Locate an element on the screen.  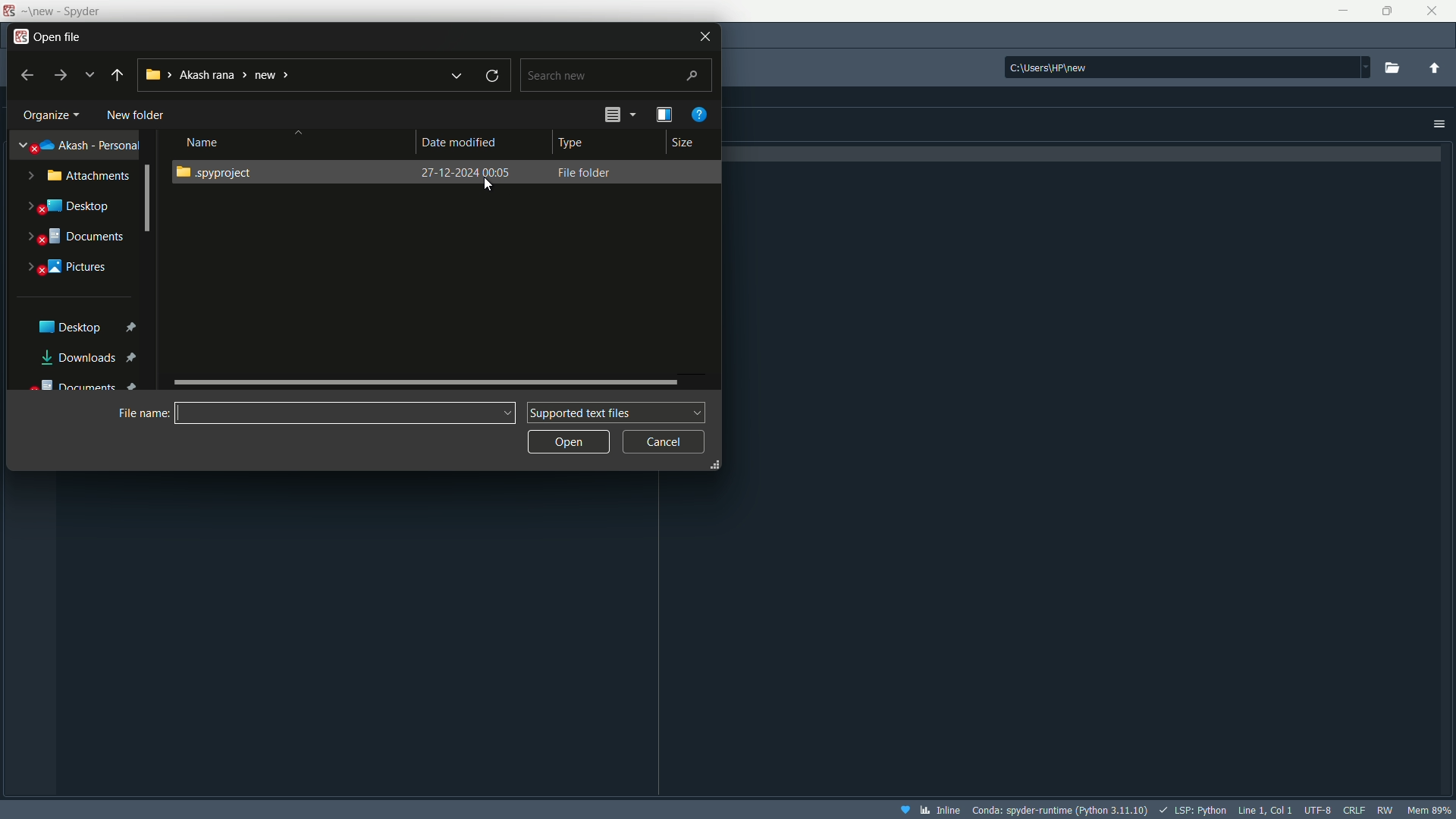
date modified is located at coordinates (465, 144).